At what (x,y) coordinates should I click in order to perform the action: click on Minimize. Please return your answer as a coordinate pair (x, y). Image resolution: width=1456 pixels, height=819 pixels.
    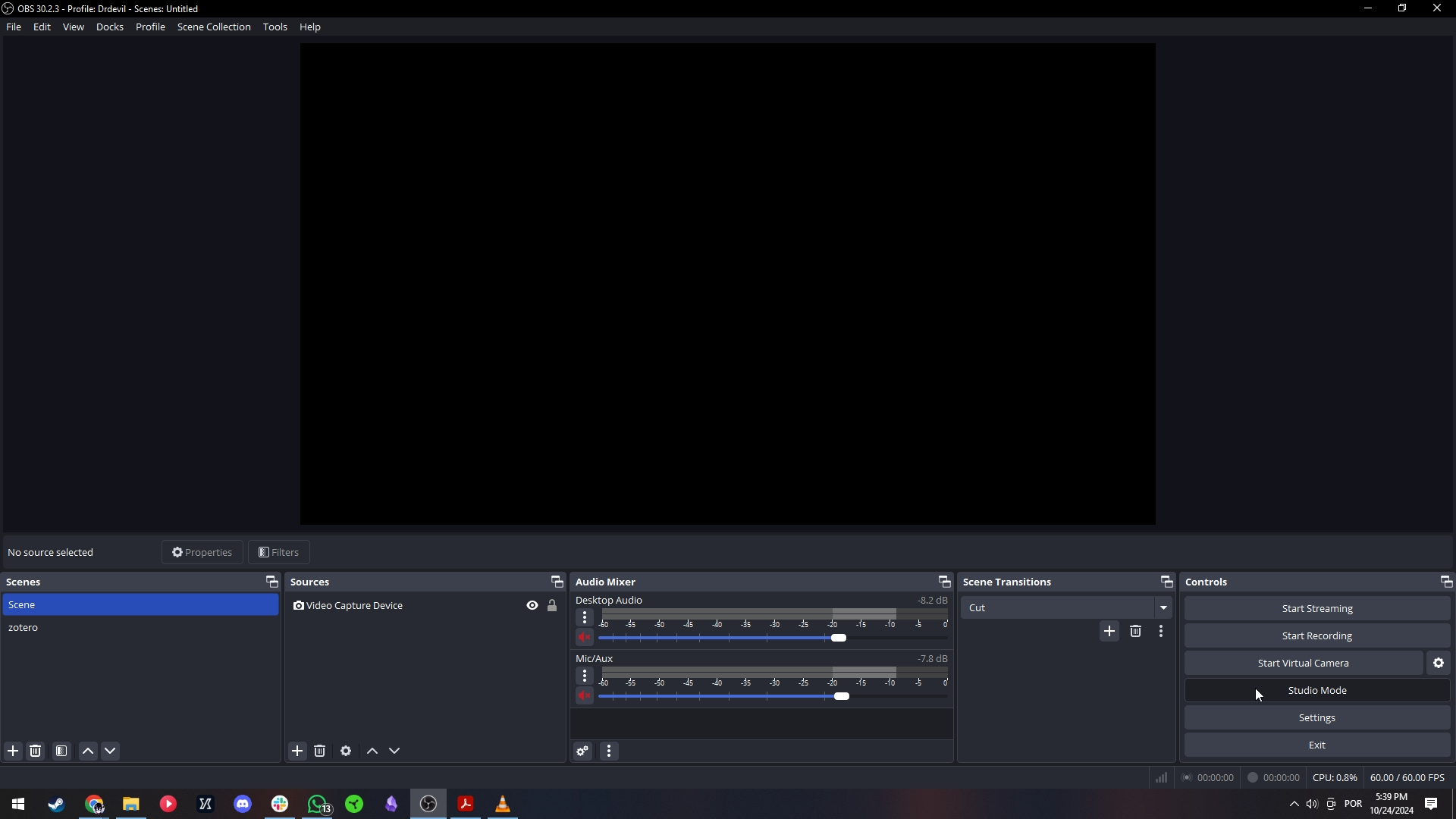
    Looking at the image, I should click on (1367, 9).